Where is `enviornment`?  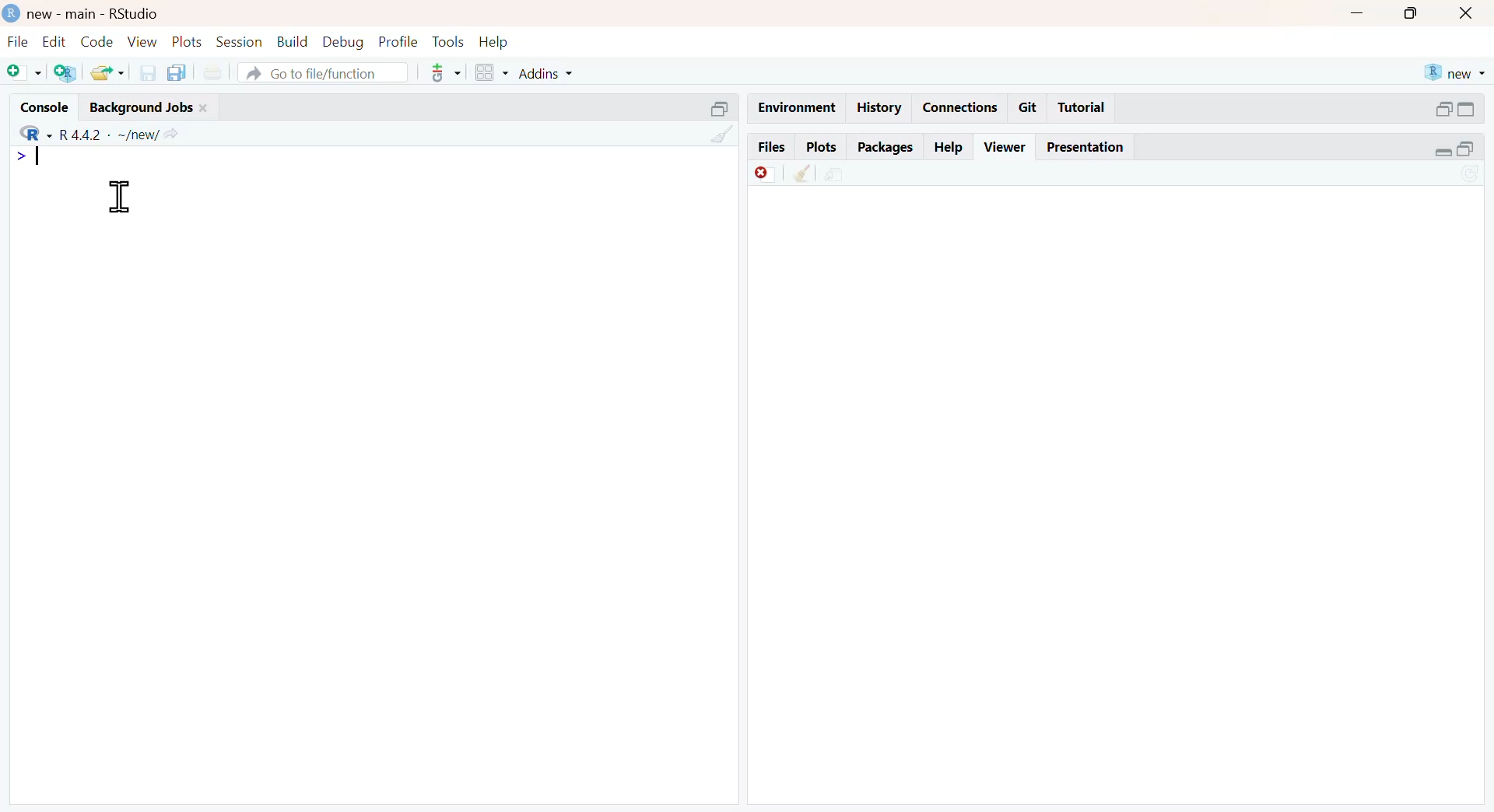
enviornment is located at coordinates (798, 108).